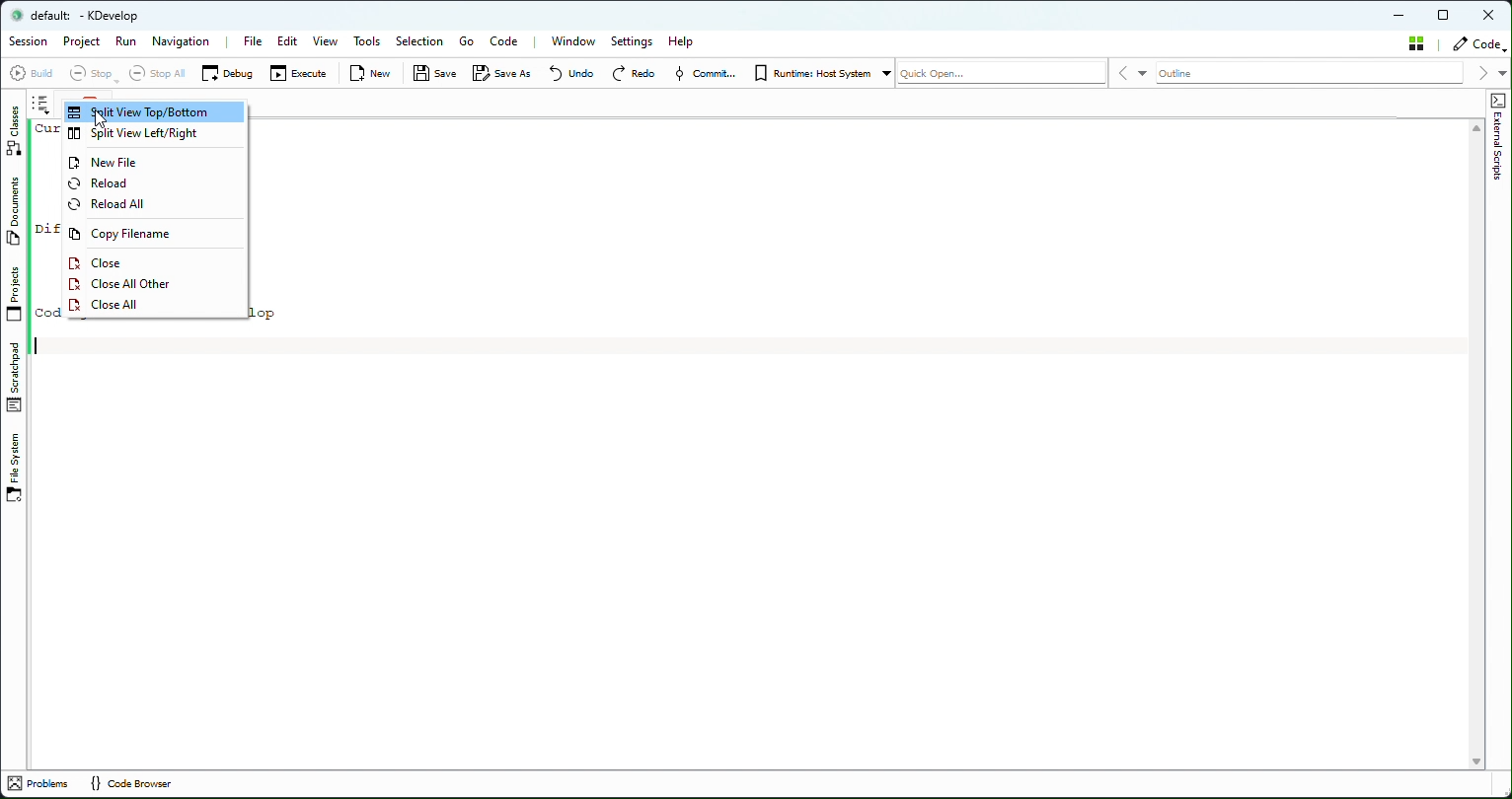  Describe the element at coordinates (32, 42) in the screenshot. I see `Session` at that location.